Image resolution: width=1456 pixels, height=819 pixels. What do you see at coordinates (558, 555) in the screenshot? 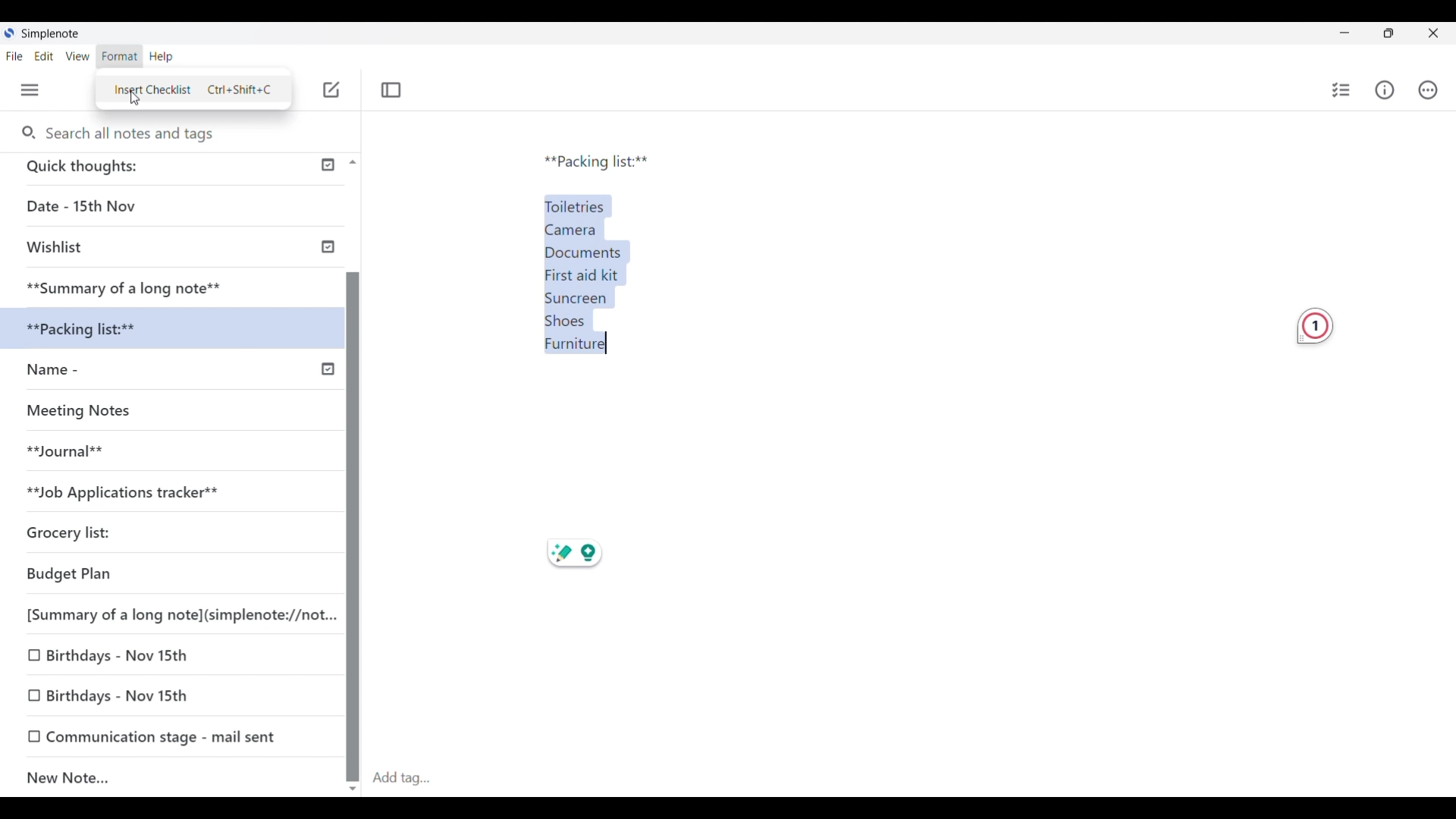
I see `Sharp` at bounding box center [558, 555].